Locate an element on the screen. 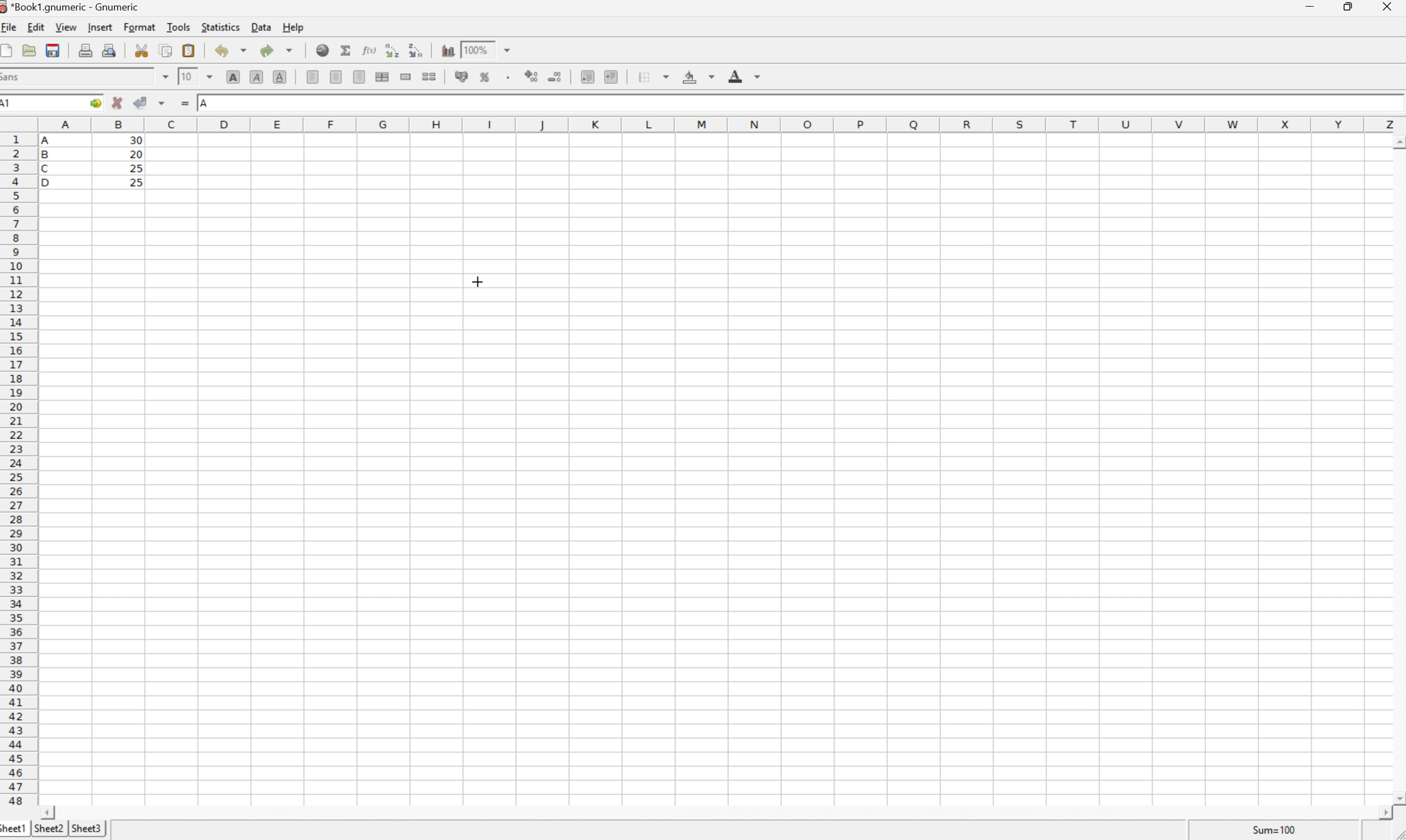  Edit function in current cell is located at coordinates (371, 49).